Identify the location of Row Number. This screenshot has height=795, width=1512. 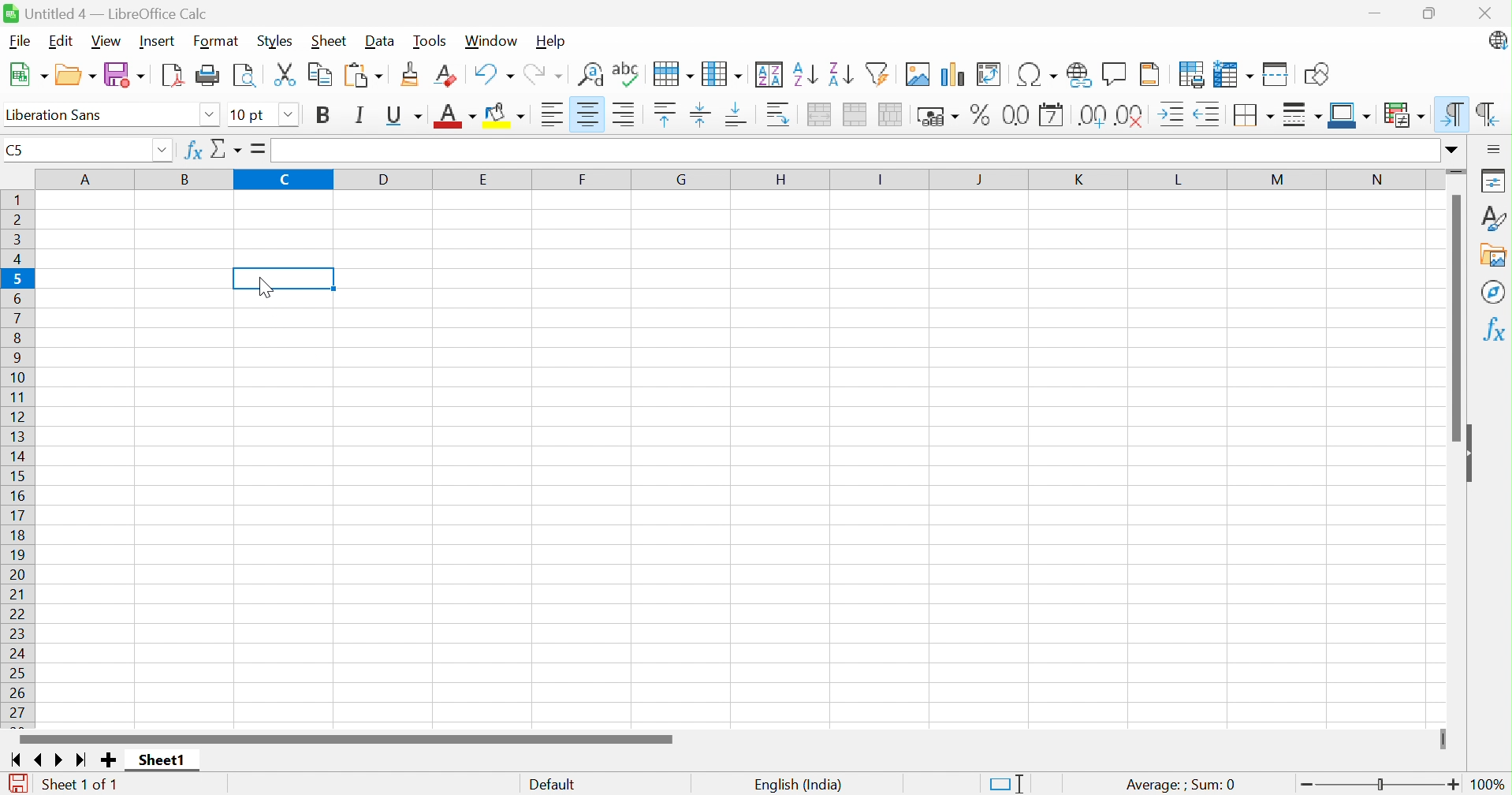
(20, 455).